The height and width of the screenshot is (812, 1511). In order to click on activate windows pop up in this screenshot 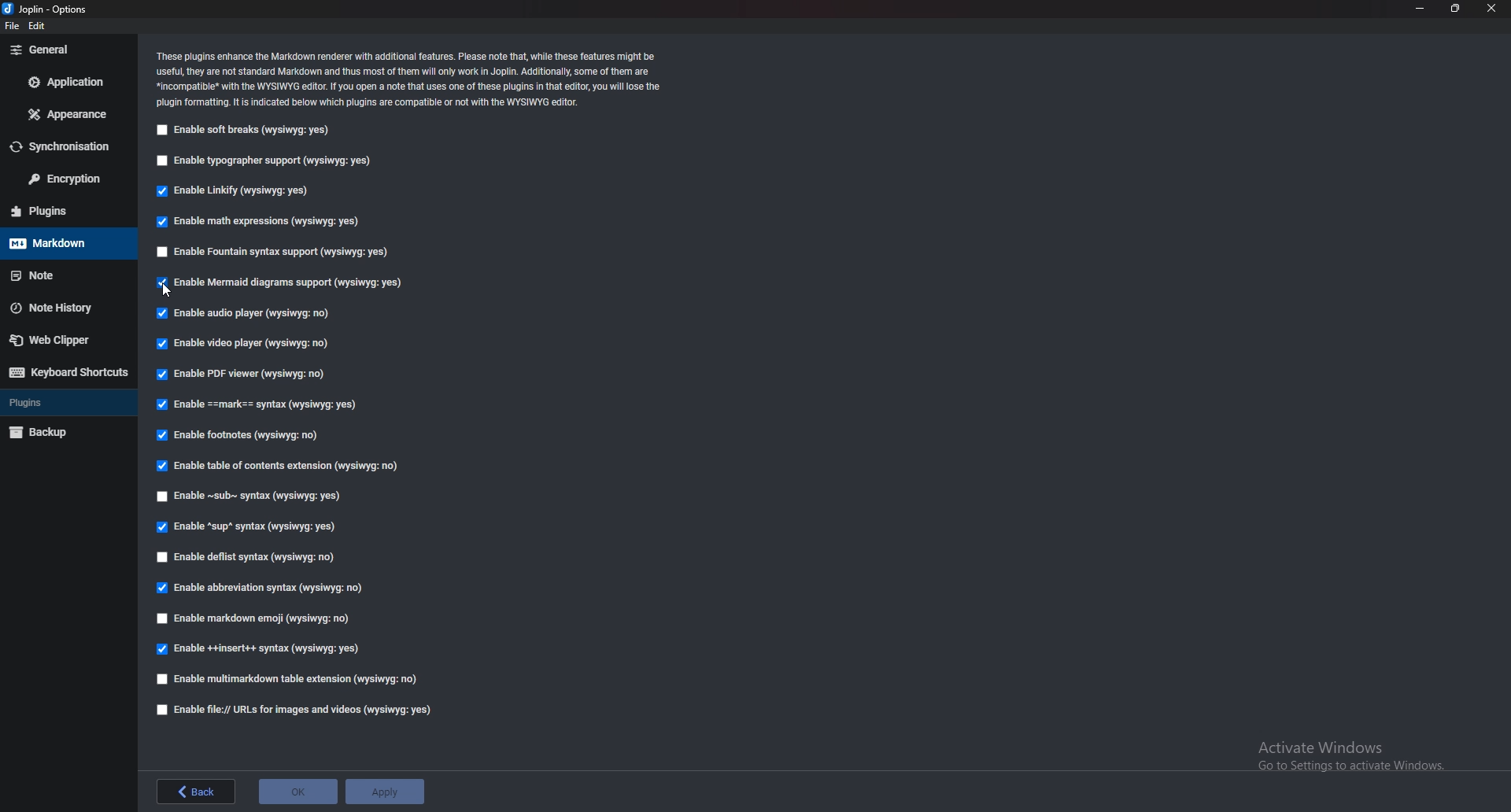, I will do `click(1353, 759)`.